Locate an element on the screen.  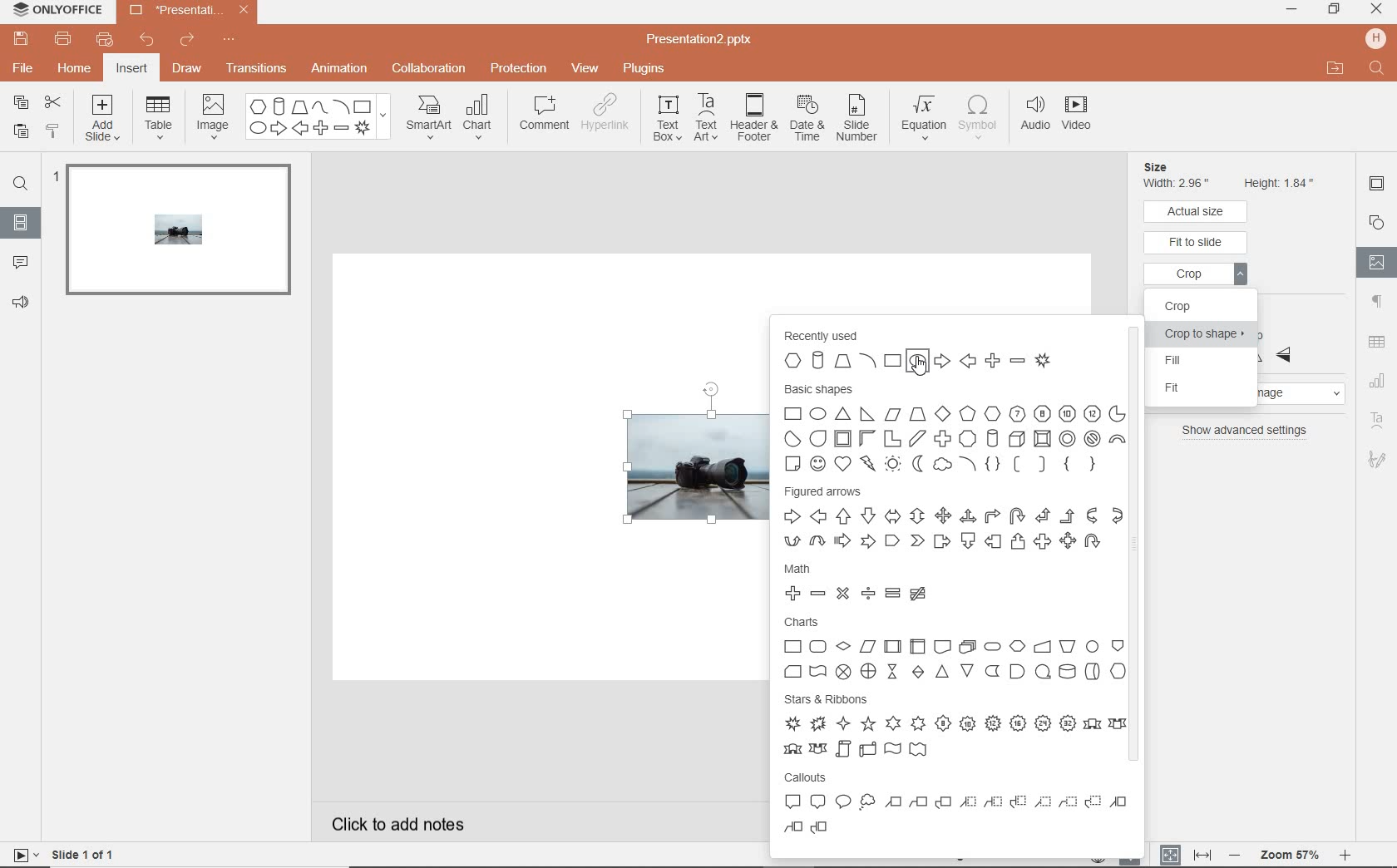
find is located at coordinates (21, 182).